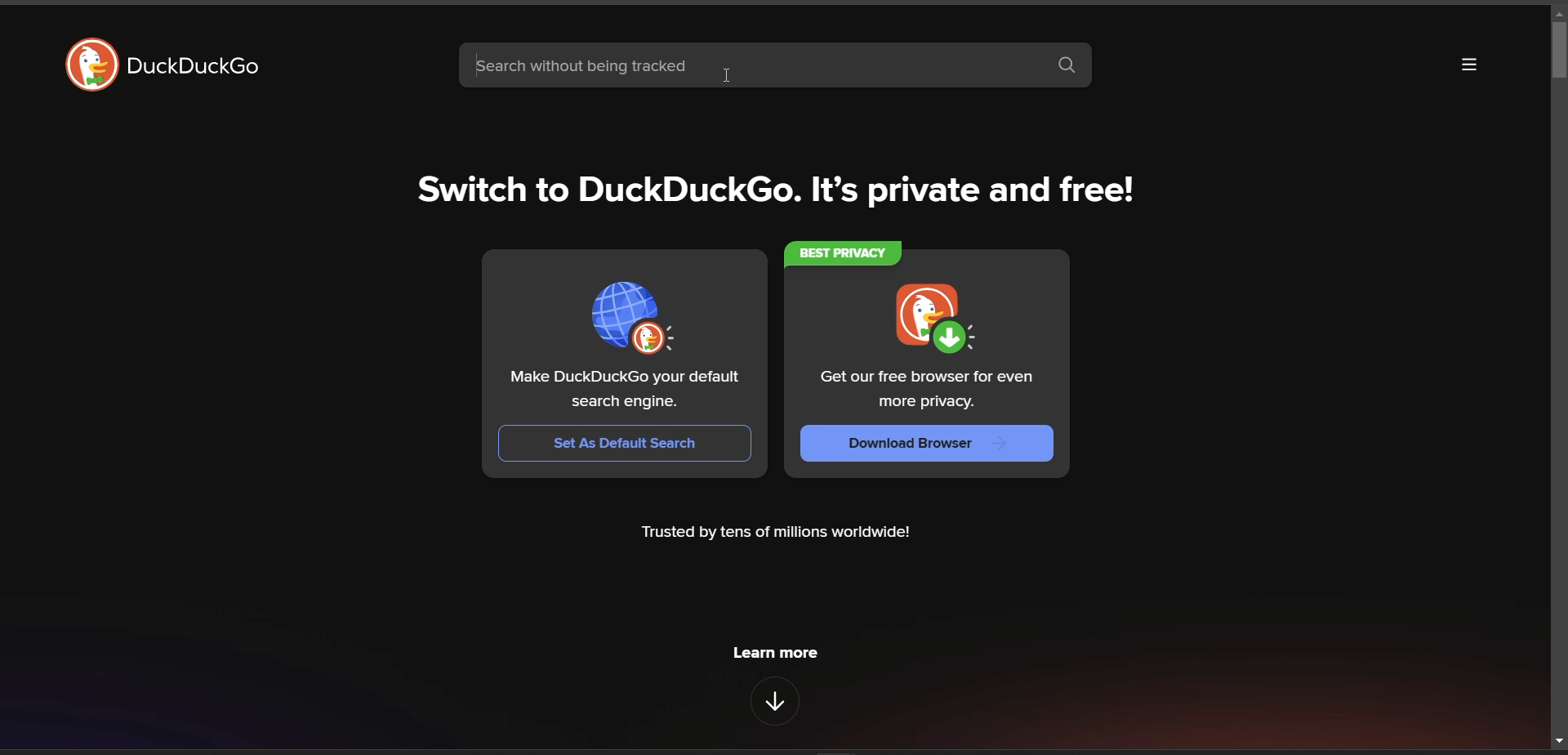 The width and height of the screenshot is (1568, 755). What do you see at coordinates (844, 253) in the screenshot?
I see `Best privacy` at bounding box center [844, 253].